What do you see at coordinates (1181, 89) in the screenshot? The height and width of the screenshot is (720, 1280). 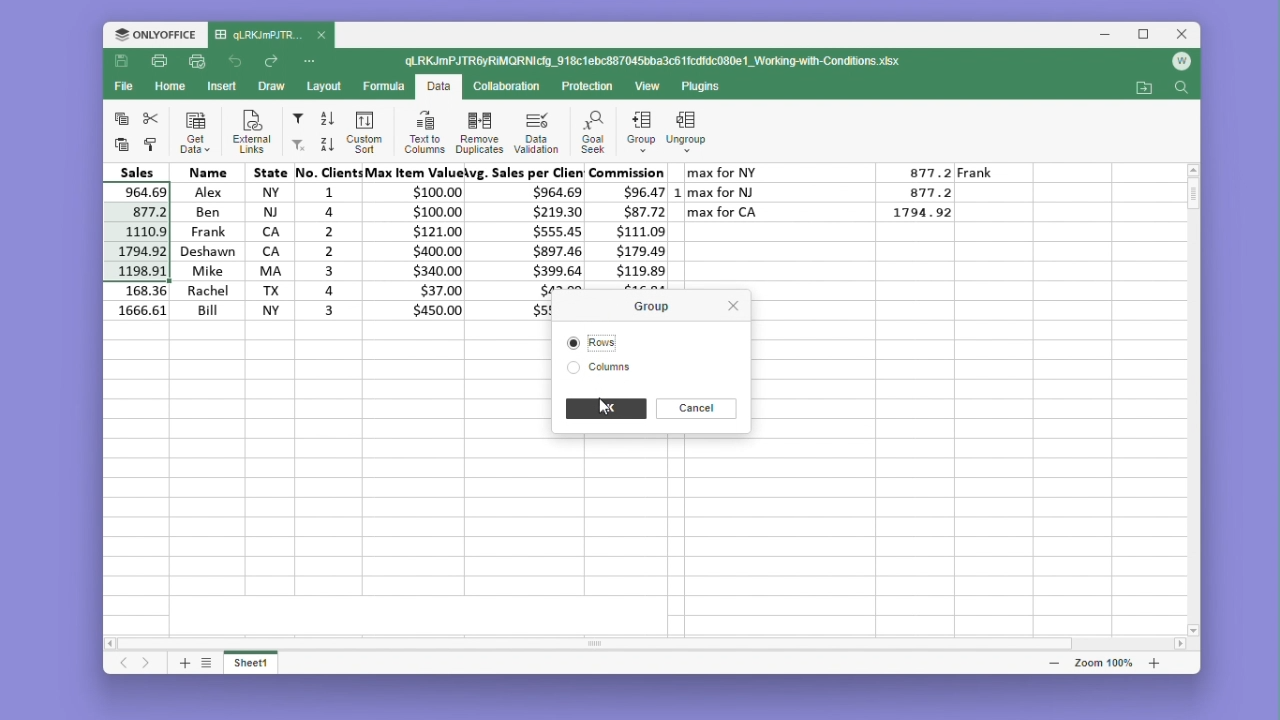 I see `Search` at bounding box center [1181, 89].